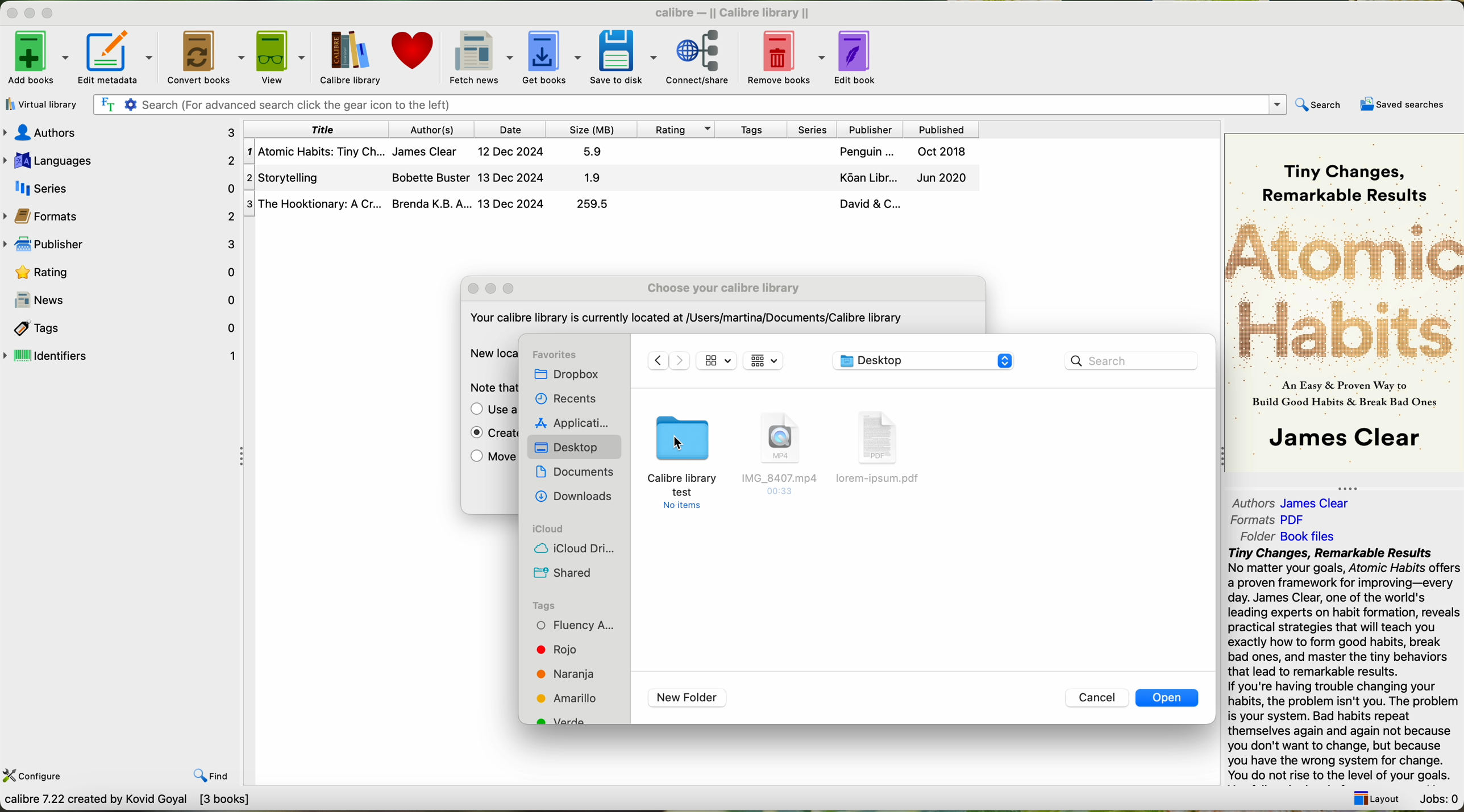 The width and height of the screenshot is (1464, 812). What do you see at coordinates (1317, 106) in the screenshot?
I see `search` at bounding box center [1317, 106].